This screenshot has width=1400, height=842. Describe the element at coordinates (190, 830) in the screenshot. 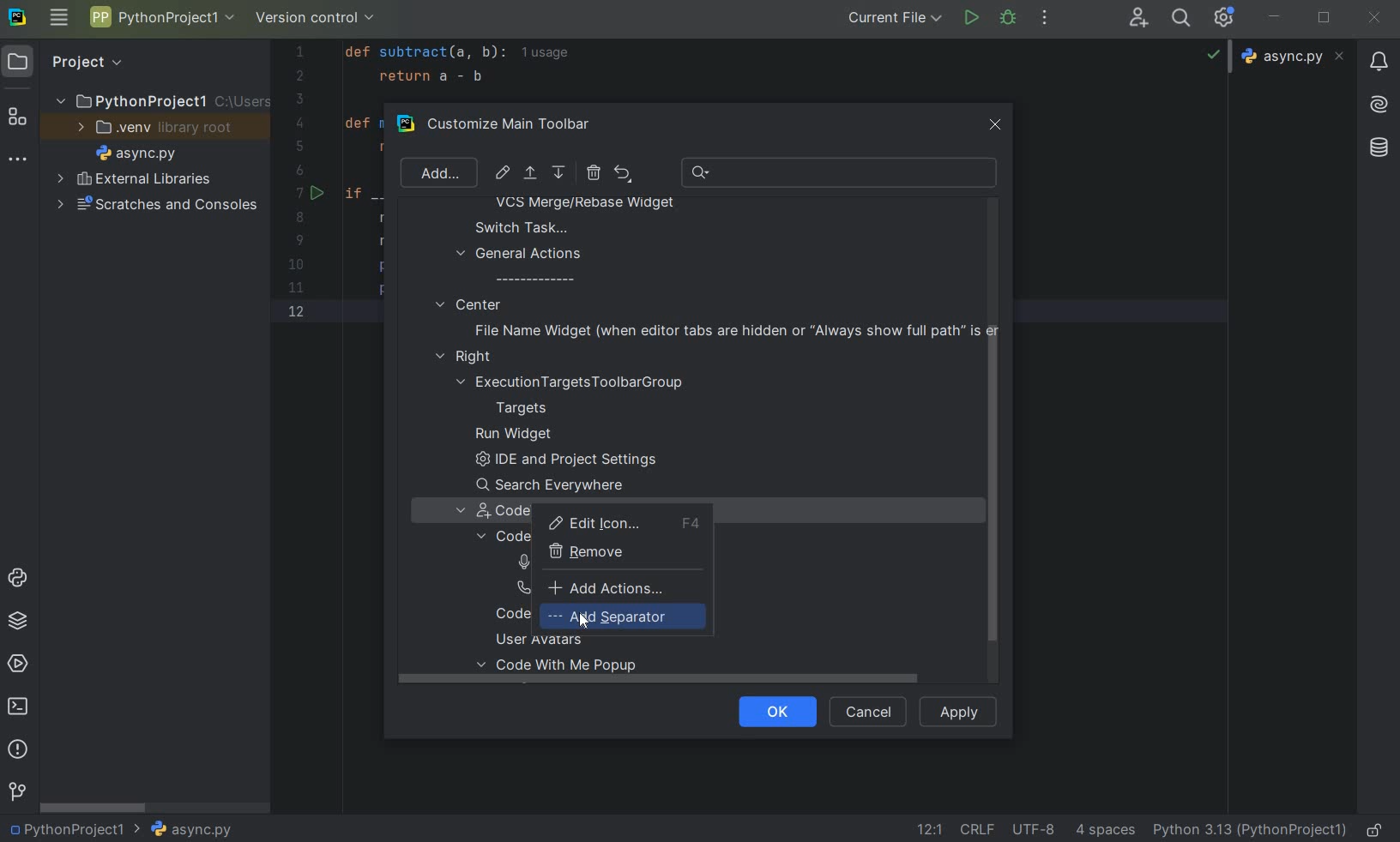

I see `FILE NAME` at that location.